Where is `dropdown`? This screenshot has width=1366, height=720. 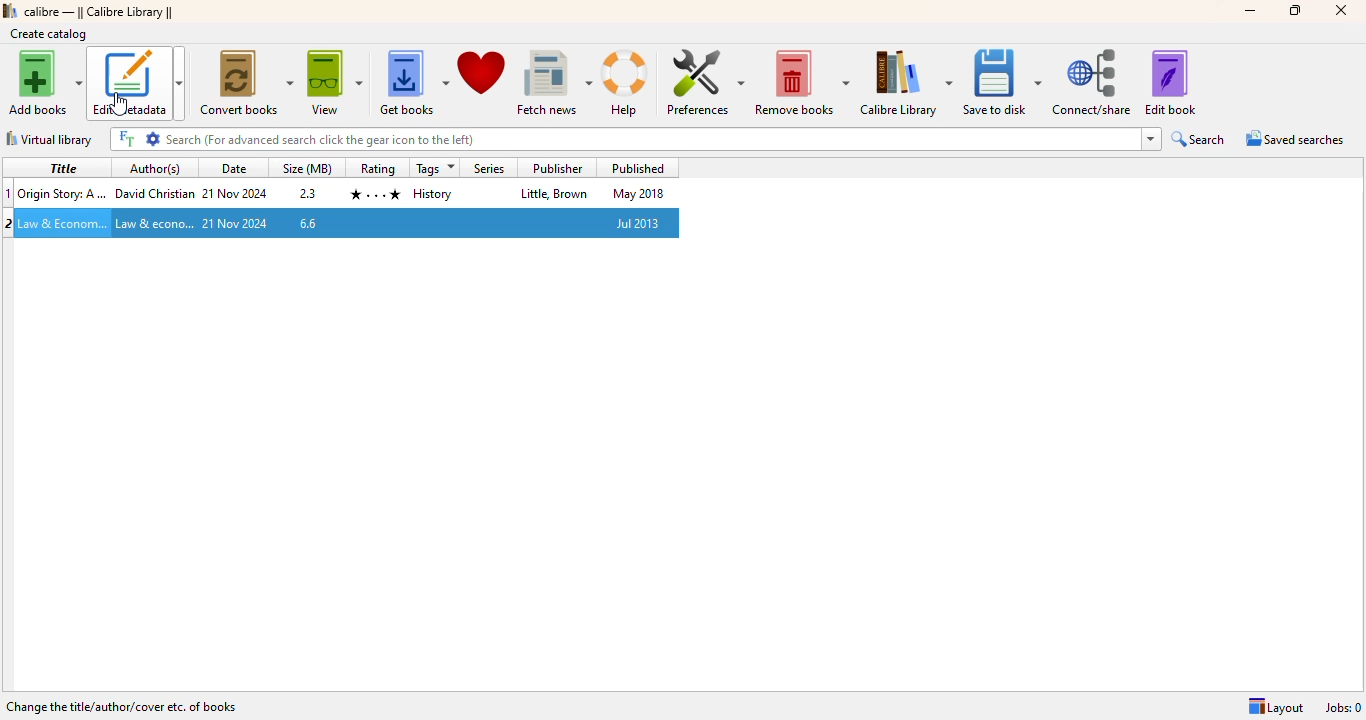 dropdown is located at coordinates (1151, 139).